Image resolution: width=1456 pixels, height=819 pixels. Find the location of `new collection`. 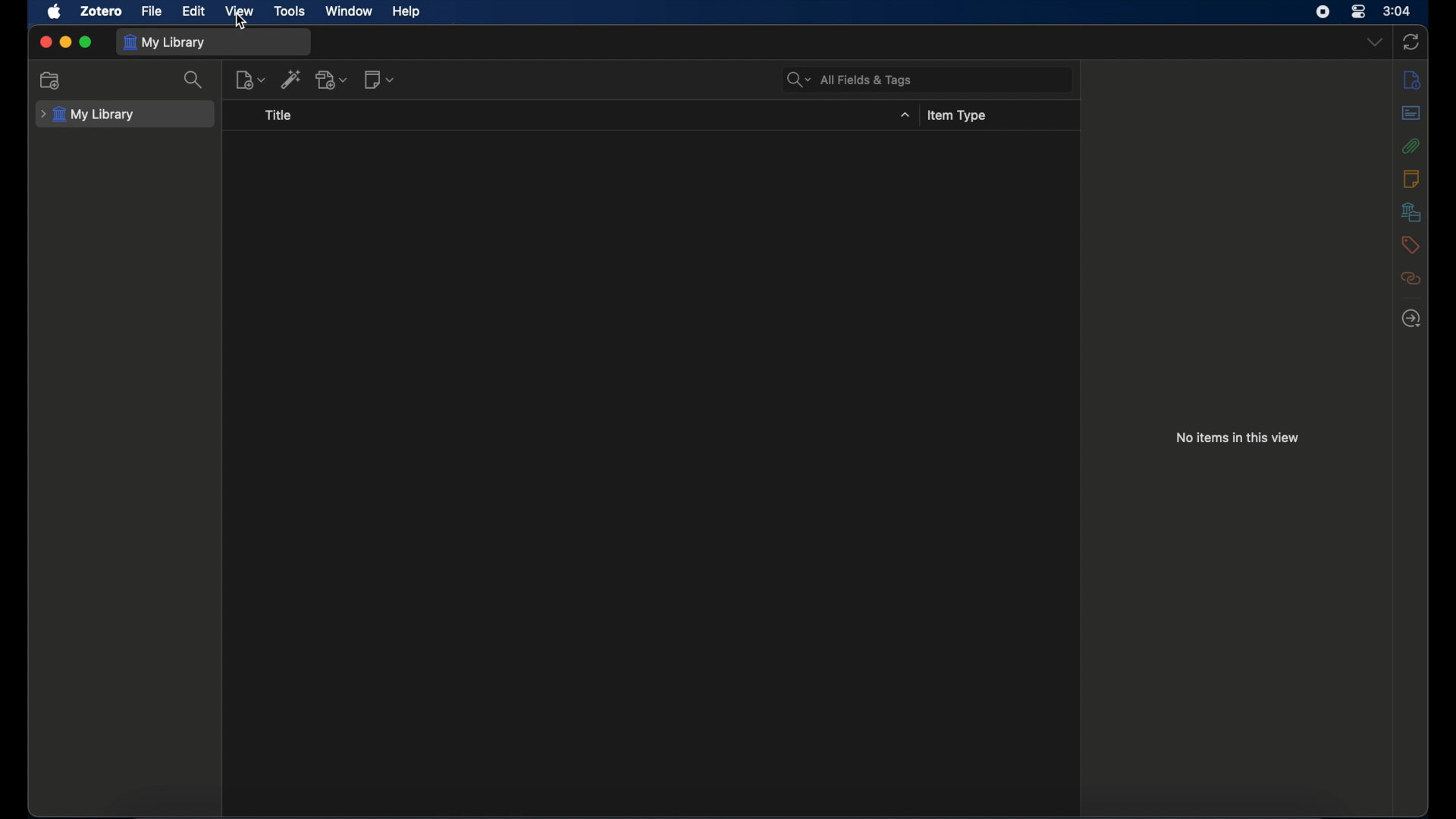

new collection is located at coordinates (51, 80).